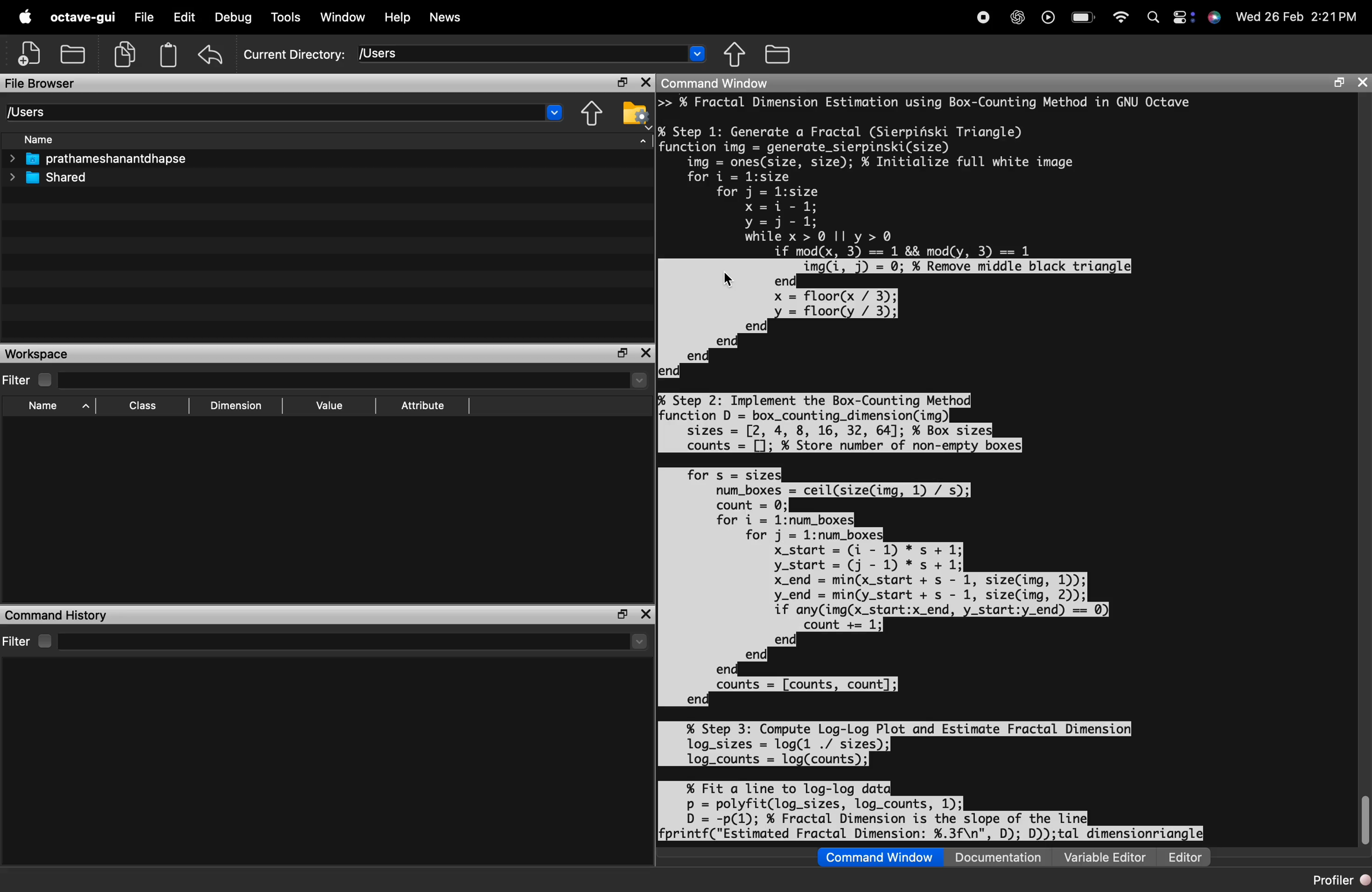 Image resolution: width=1372 pixels, height=892 pixels. I want to click on close, so click(644, 82).